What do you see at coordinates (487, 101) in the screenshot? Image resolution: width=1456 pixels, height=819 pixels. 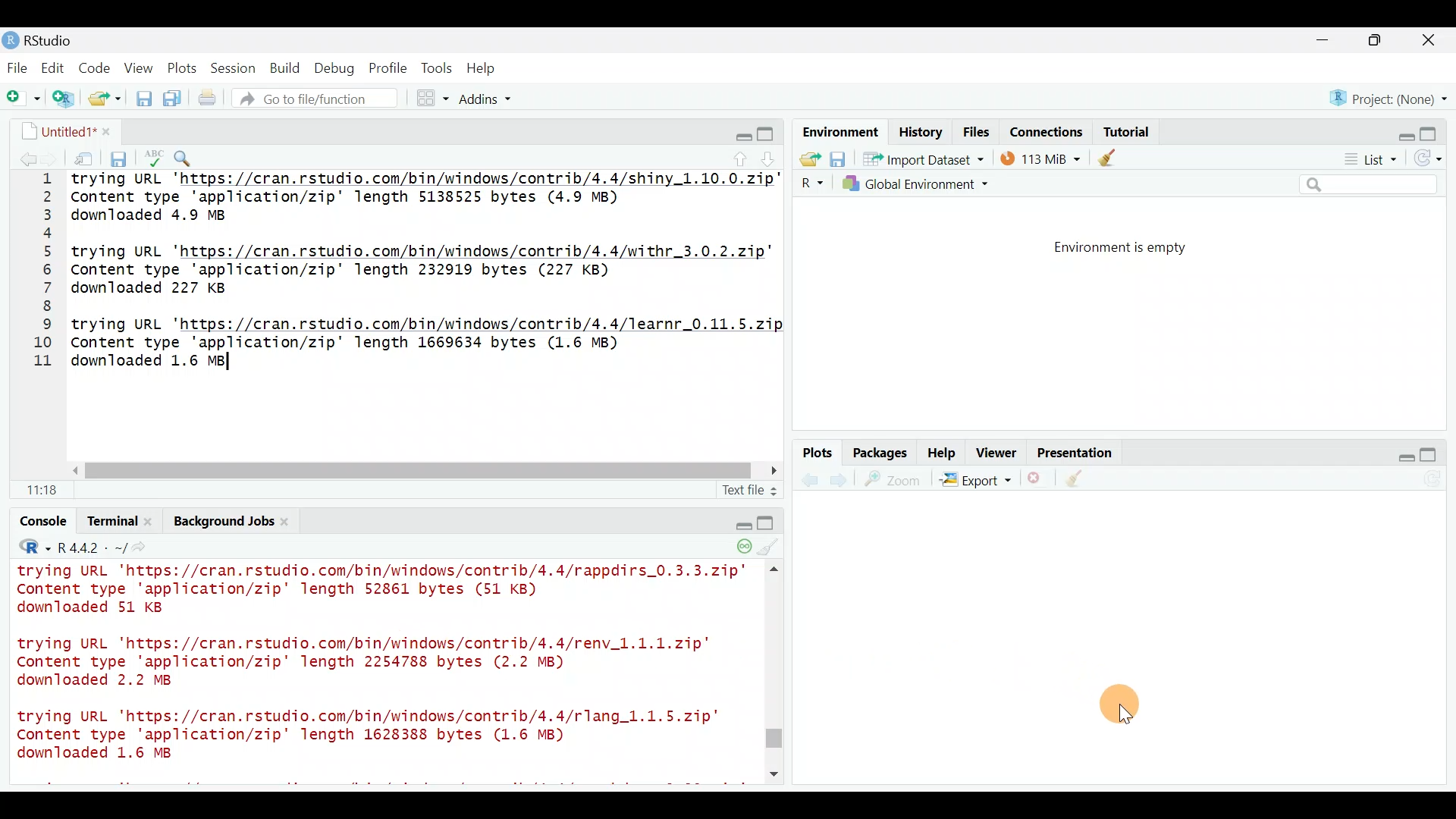 I see `Addins` at bounding box center [487, 101].